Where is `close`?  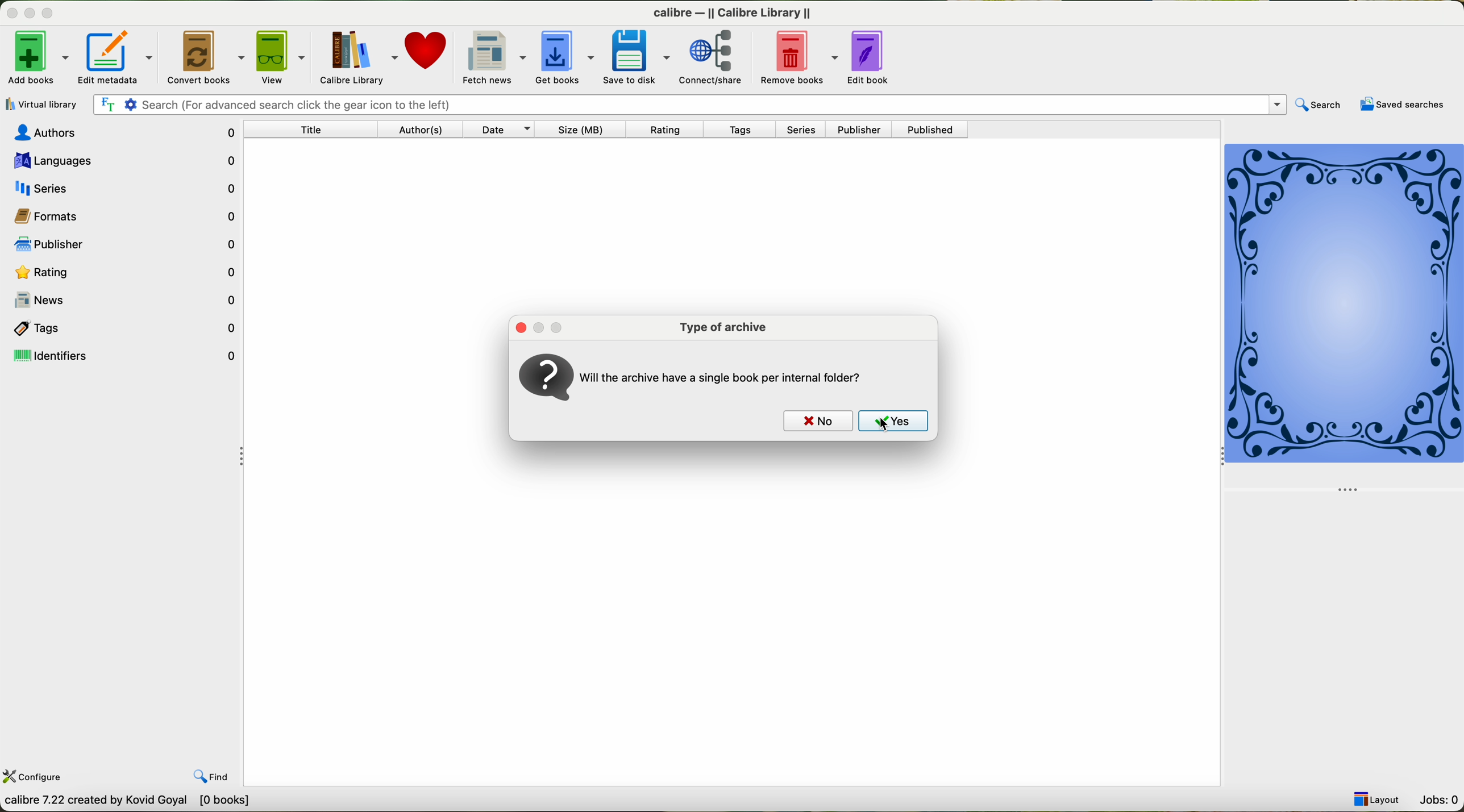 close is located at coordinates (518, 326).